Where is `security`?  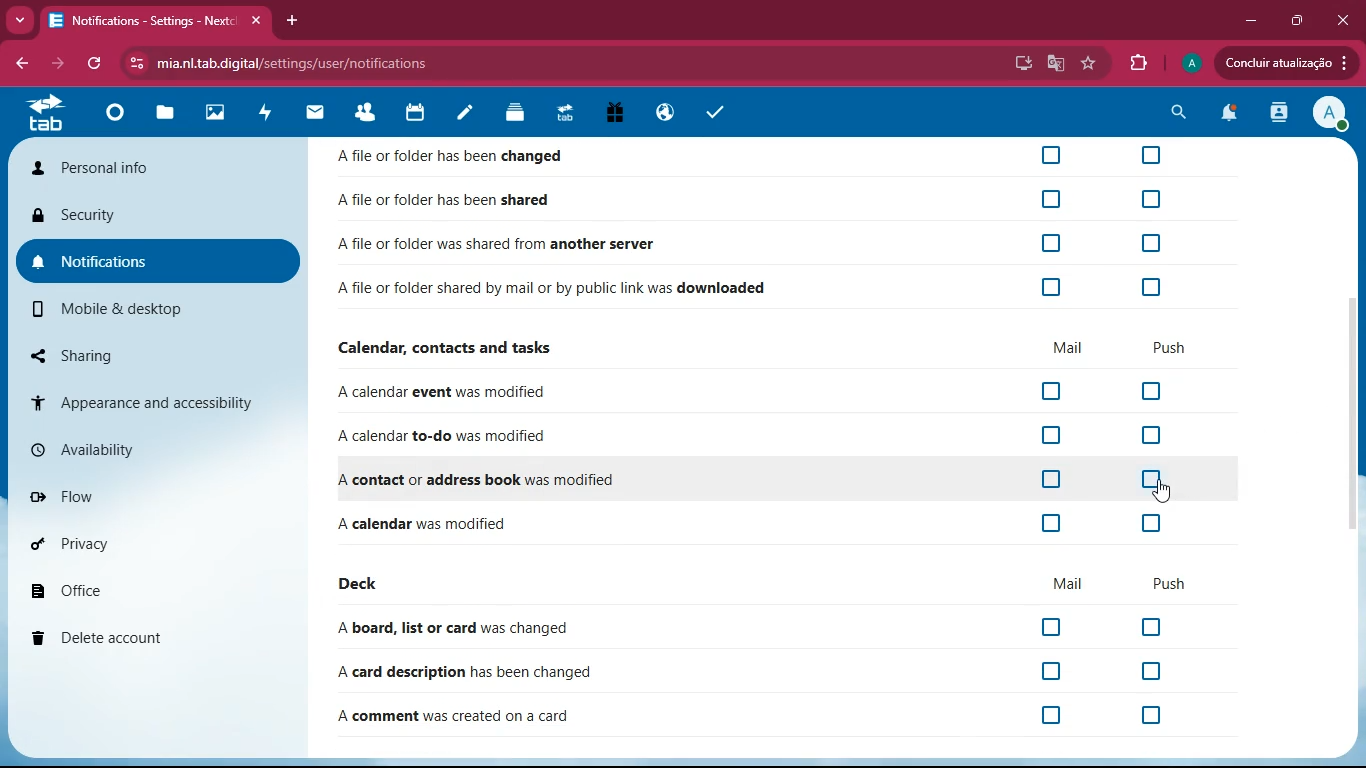
security is located at coordinates (148, 215).